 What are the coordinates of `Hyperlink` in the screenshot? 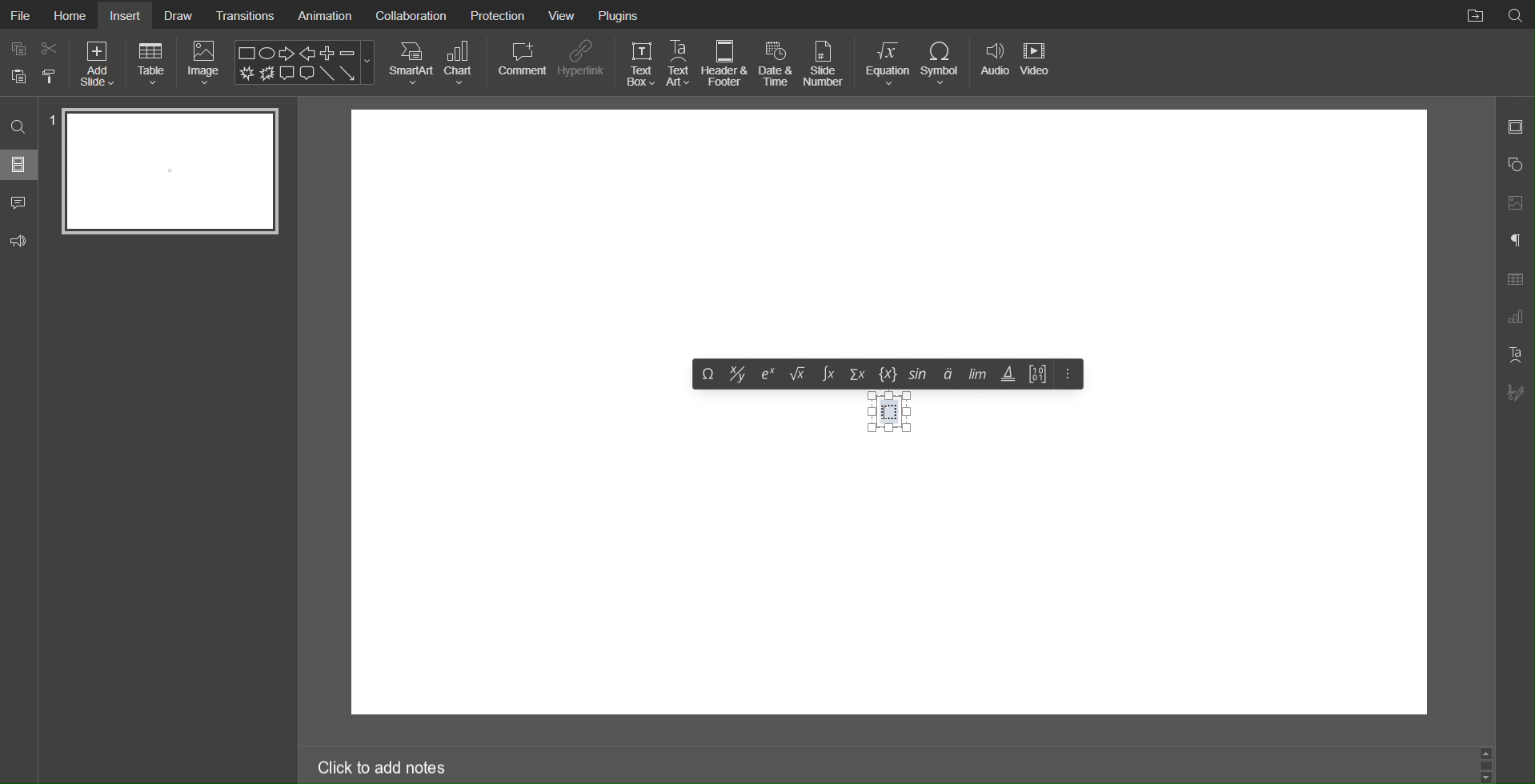 It's located at (583, 62).